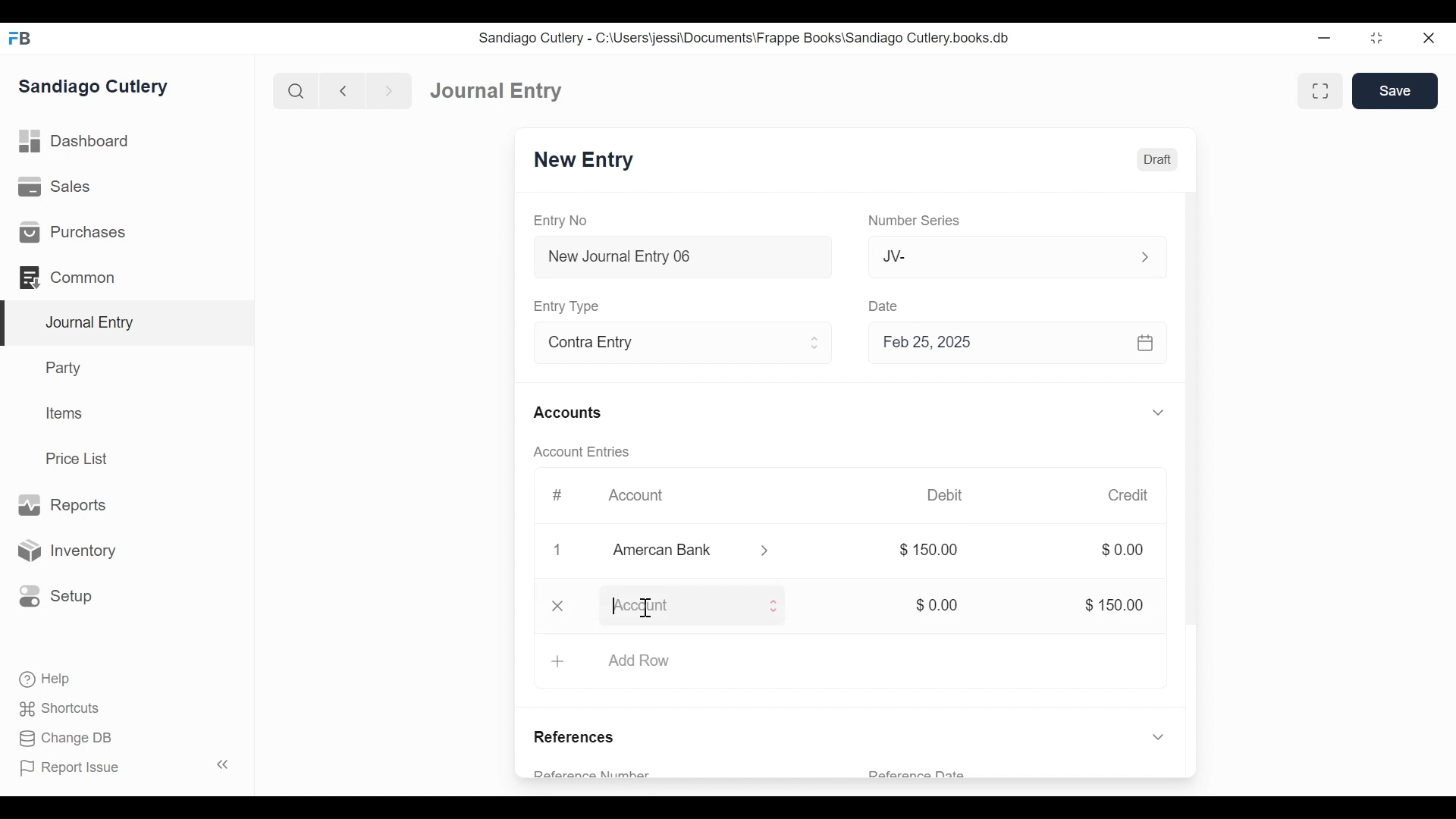  I want to click on Party, so click(67, 367).